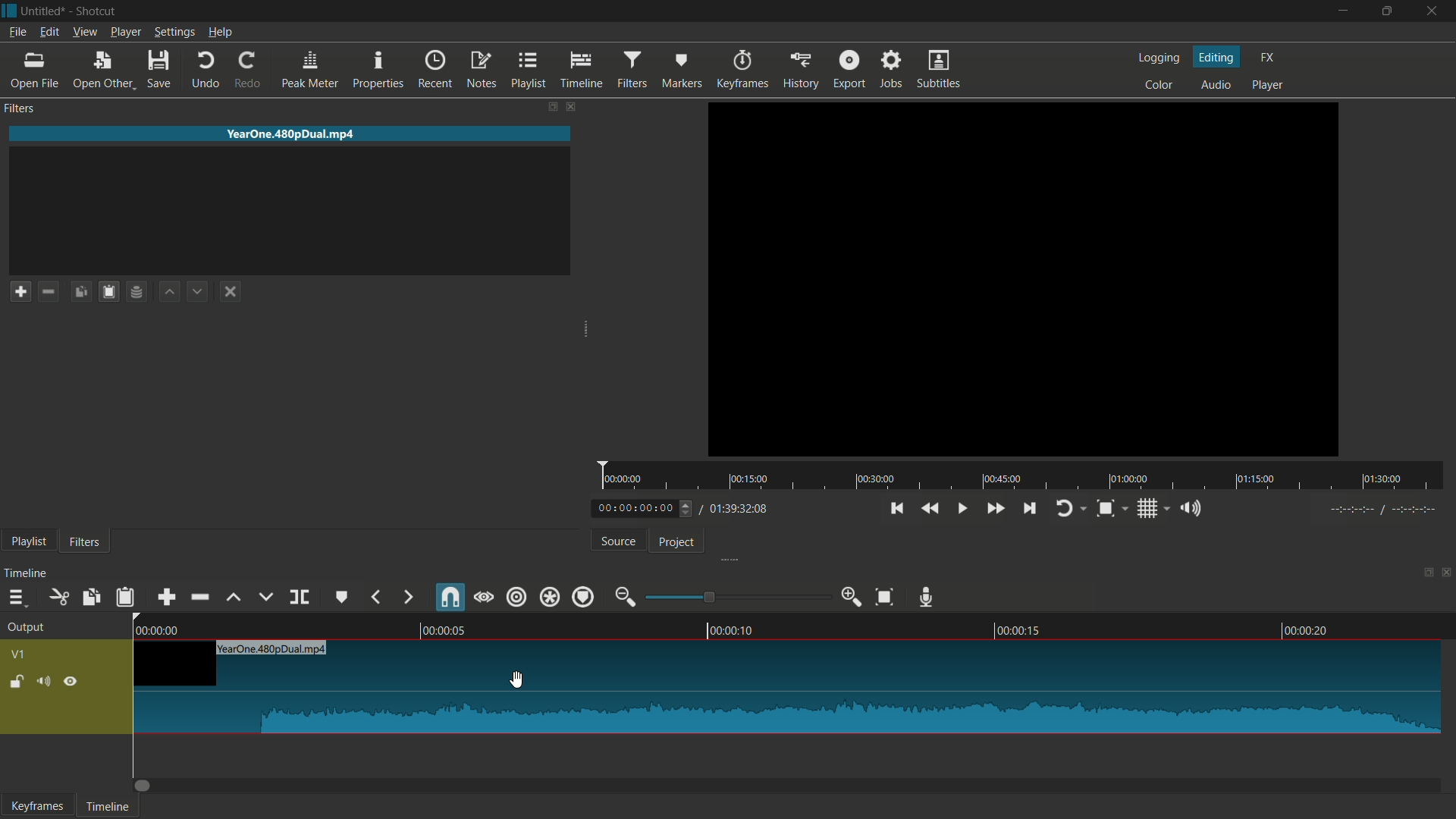 The image size is (1456, 819). Describe the element at coordinates (893, 69) in the screenshot. I see `jobs` at that location.